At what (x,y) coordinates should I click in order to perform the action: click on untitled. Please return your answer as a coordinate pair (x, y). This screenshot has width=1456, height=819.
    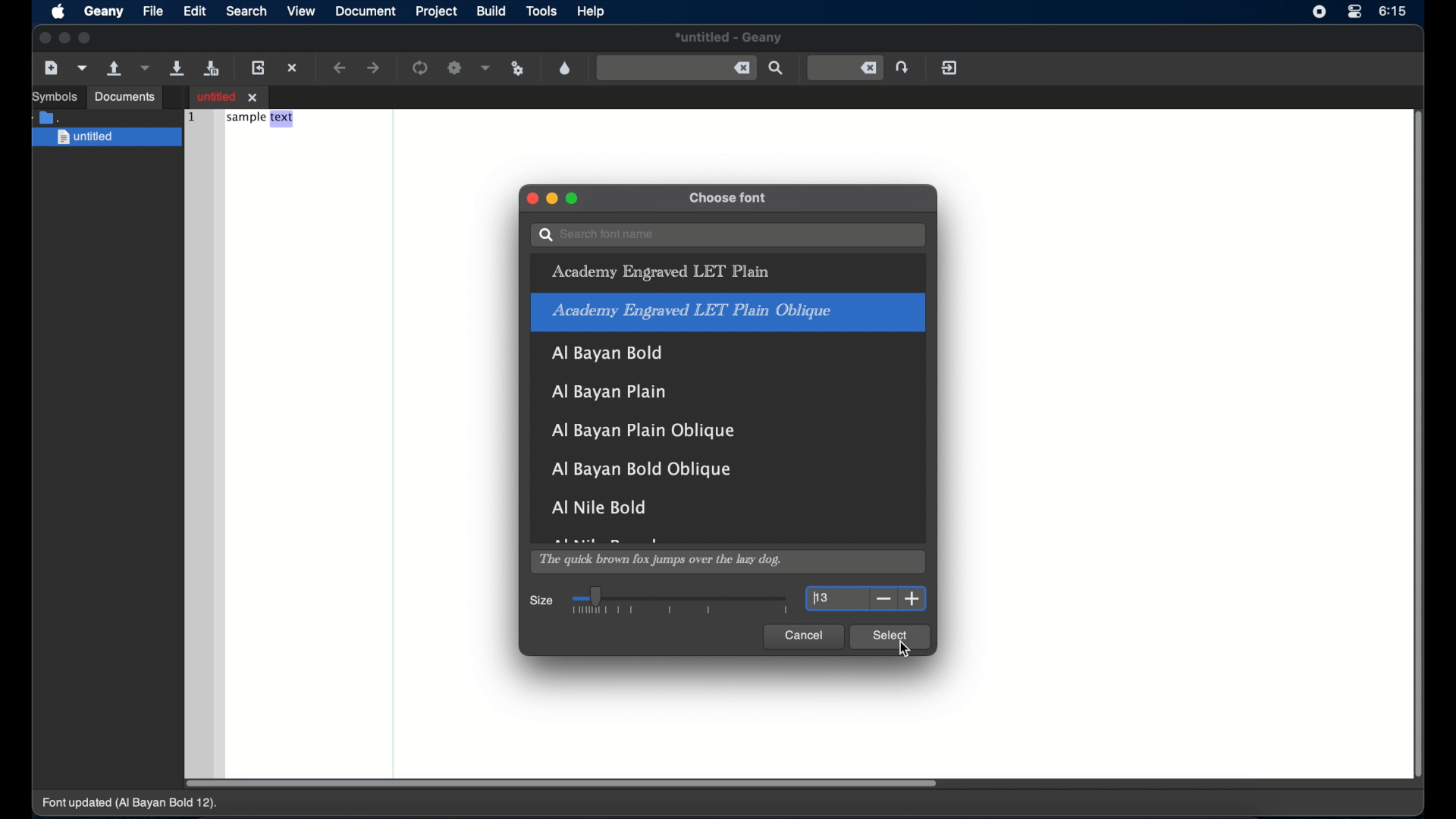
    Looking at the image, I should click on (729, 39).